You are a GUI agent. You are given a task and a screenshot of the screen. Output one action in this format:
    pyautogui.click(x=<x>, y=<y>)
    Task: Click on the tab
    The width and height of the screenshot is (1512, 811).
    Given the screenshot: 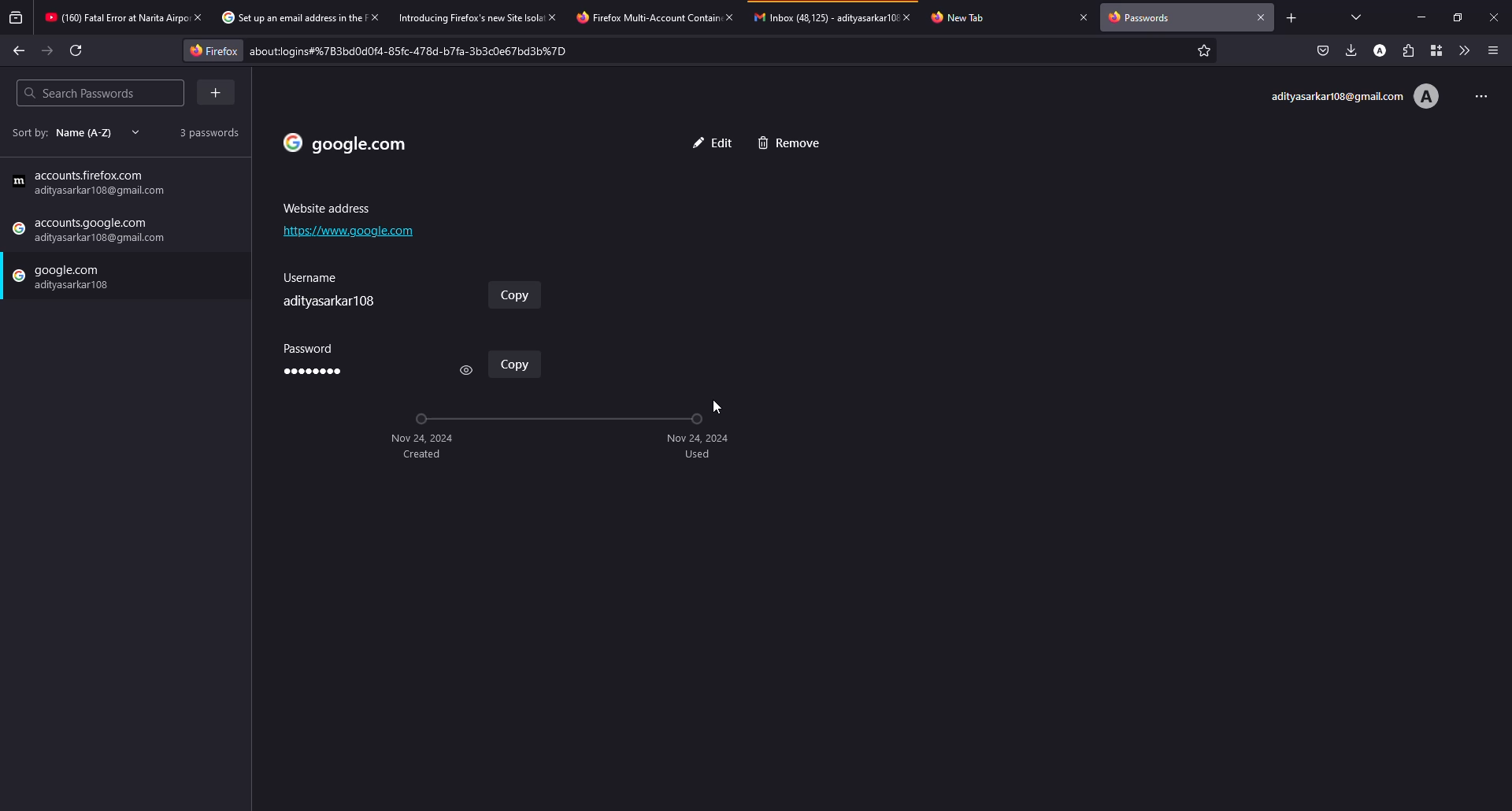 What is the action you would take?
    pyautogui.click(x=824, y=17)
    